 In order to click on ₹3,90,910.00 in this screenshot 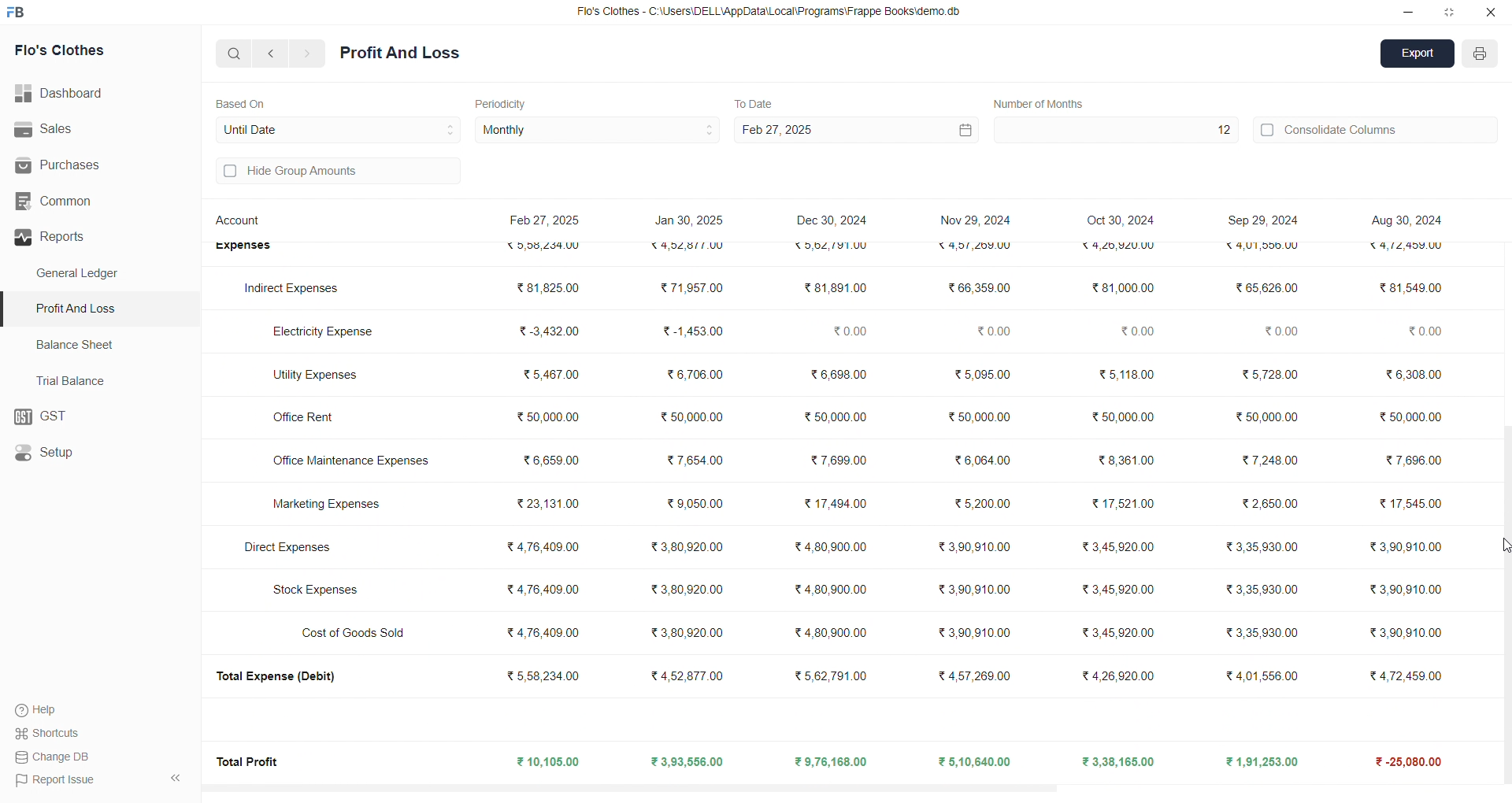, I will do `click(977, 589)`.